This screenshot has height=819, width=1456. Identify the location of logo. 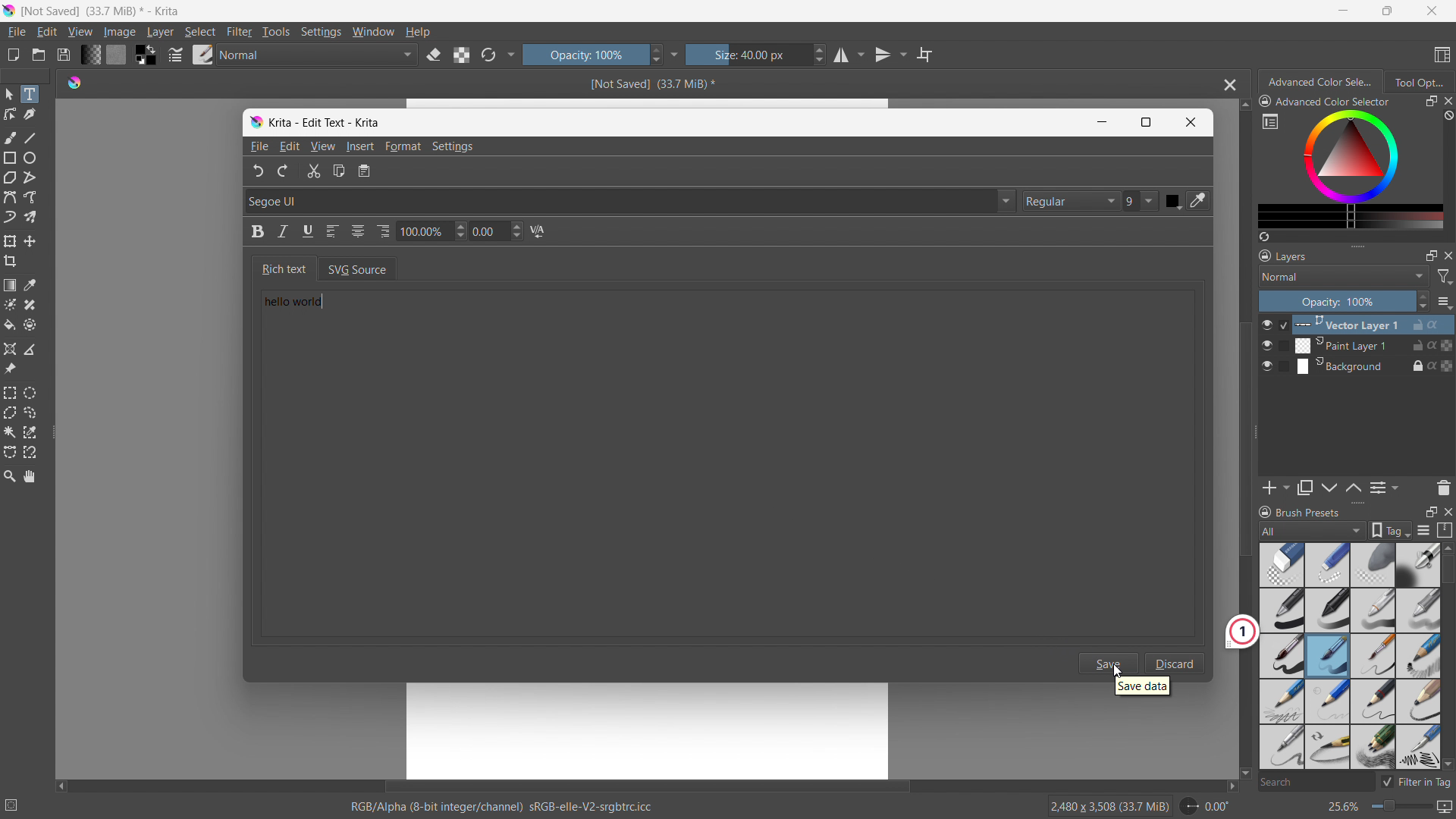
(256, 123).